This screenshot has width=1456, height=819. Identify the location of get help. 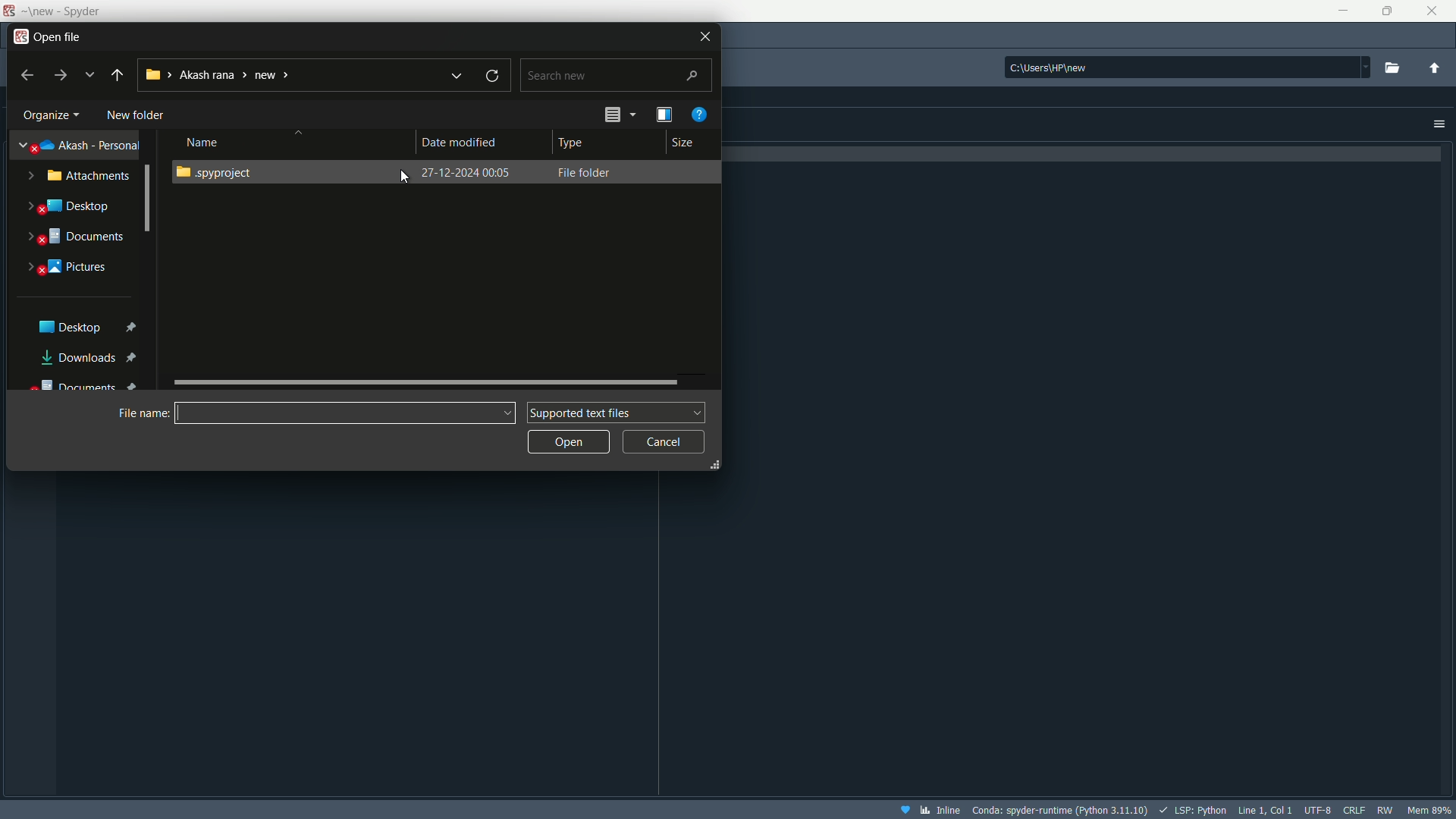
(702, 115).